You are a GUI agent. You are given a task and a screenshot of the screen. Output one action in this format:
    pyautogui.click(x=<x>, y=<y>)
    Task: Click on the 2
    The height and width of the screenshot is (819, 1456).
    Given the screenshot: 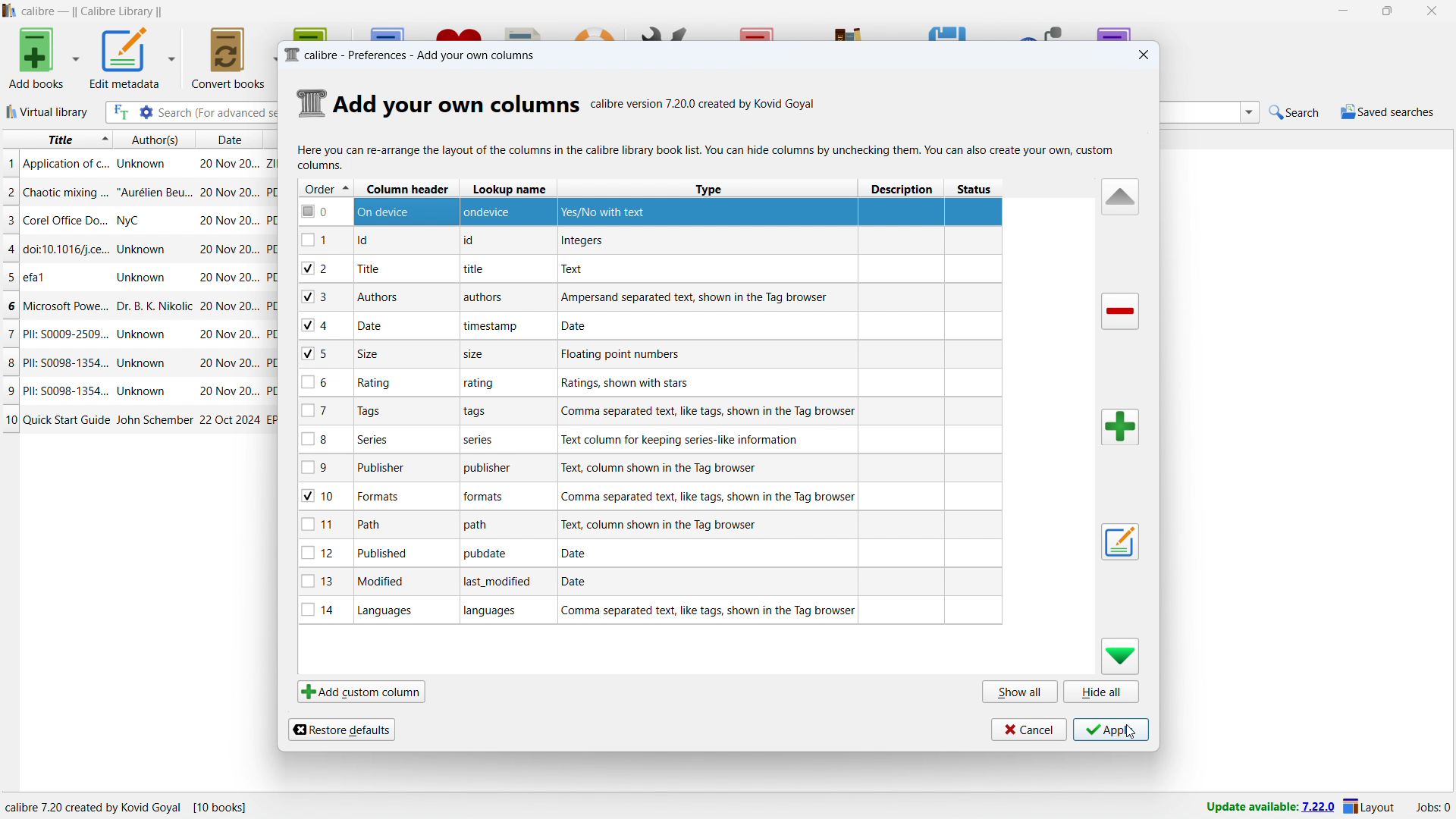 What is the action you would take?
    pyautogui.click(x=9, y=191)
    